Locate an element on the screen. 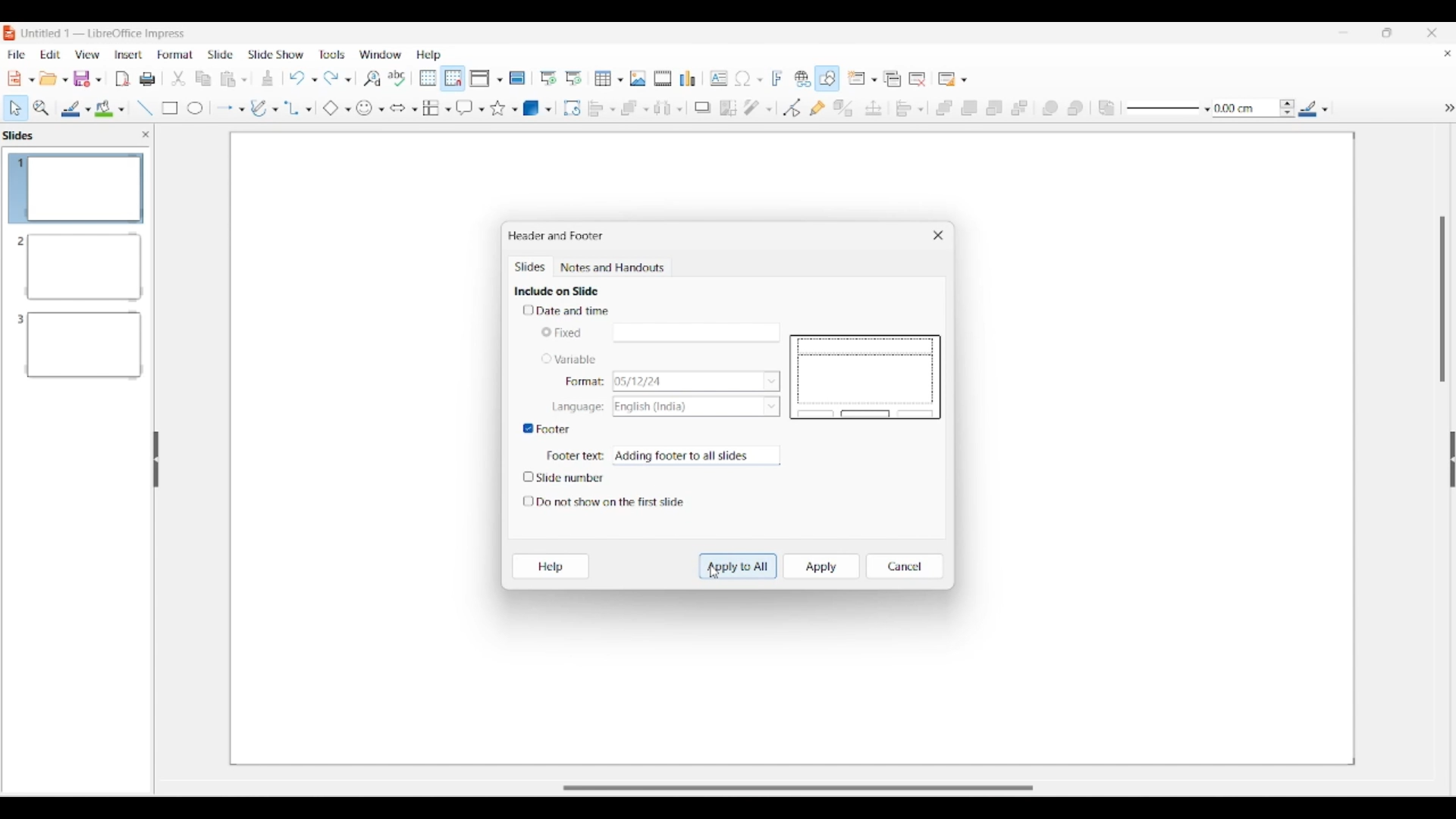  Bring forward is located at coordinates (970, 108).